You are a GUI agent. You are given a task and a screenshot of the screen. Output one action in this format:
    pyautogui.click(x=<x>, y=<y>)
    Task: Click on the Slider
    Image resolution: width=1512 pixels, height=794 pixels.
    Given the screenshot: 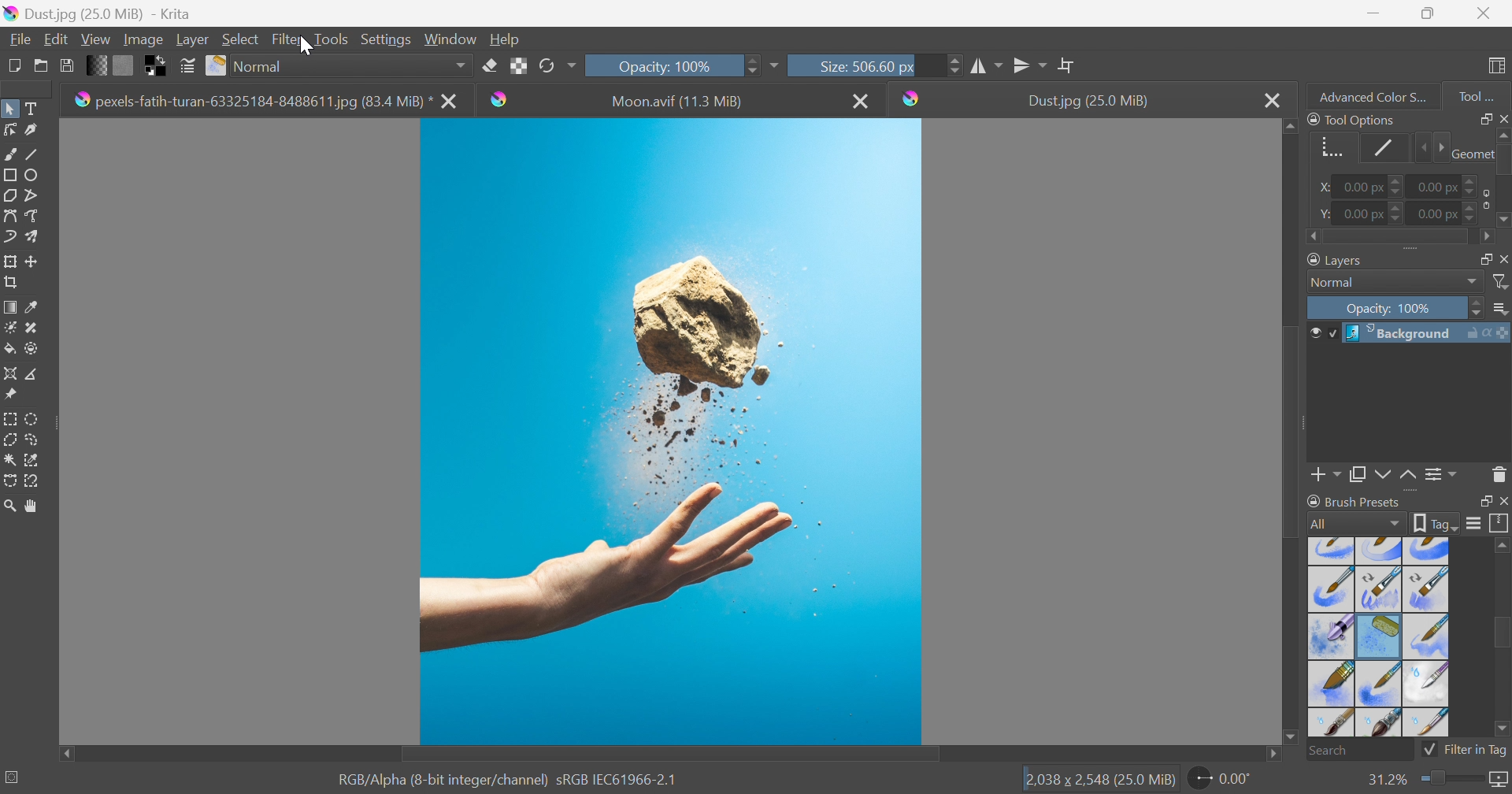 What is the action you would take?
    pyautogui.click(x=1430, y=148)
    